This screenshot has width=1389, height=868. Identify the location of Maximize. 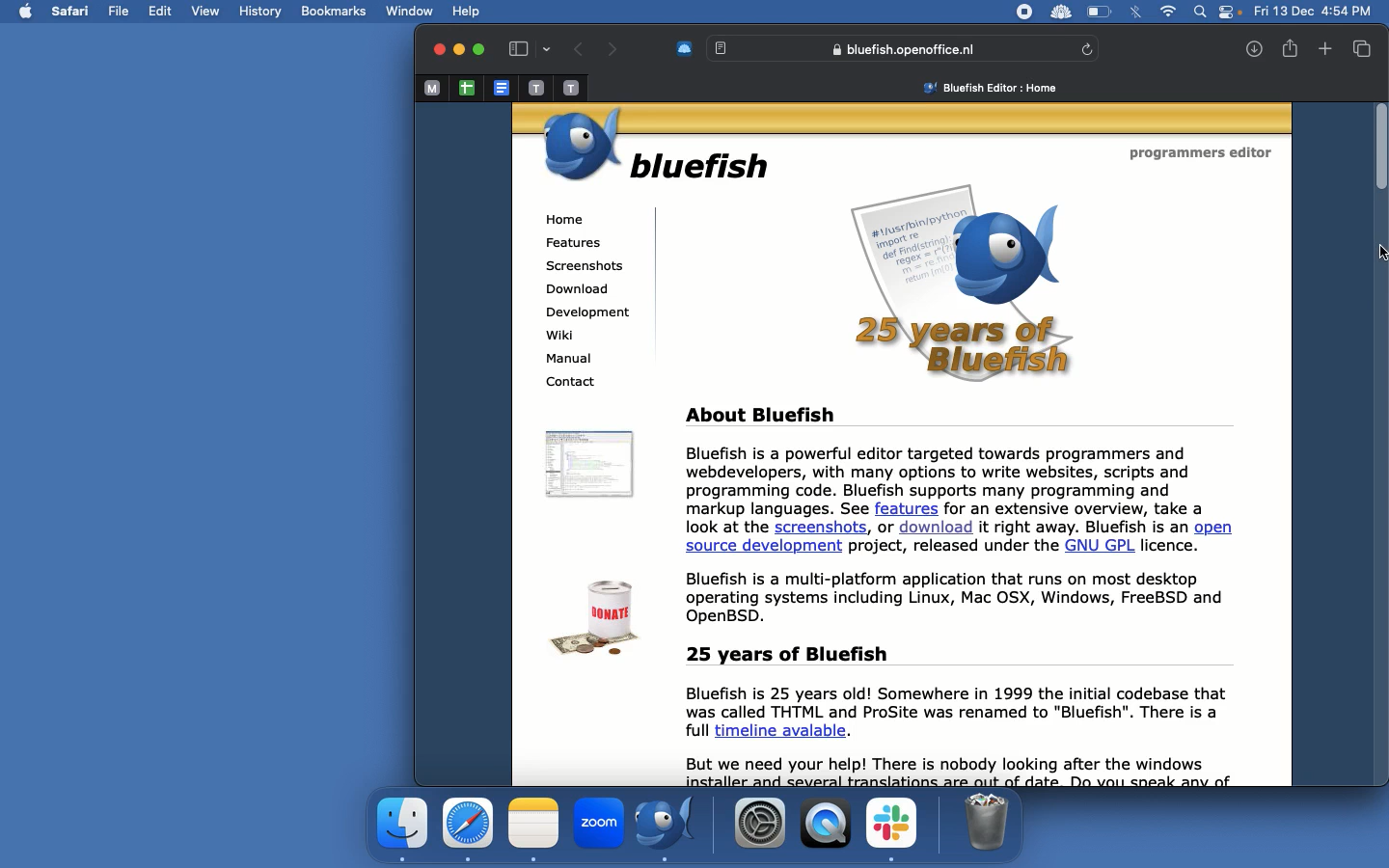
(481, 51).